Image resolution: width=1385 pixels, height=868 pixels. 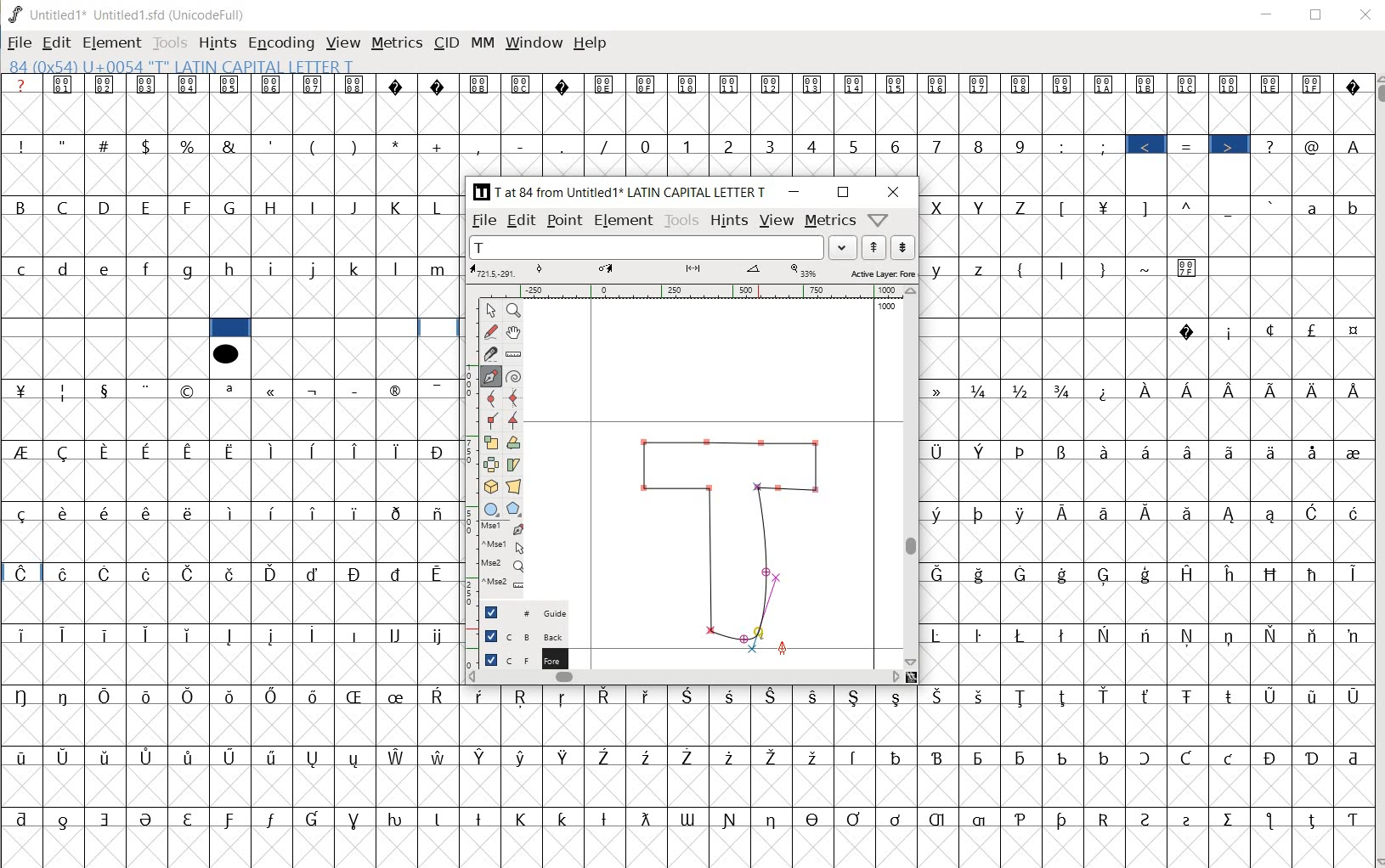 I want to click on Symbol, so click(x=148, y=572).